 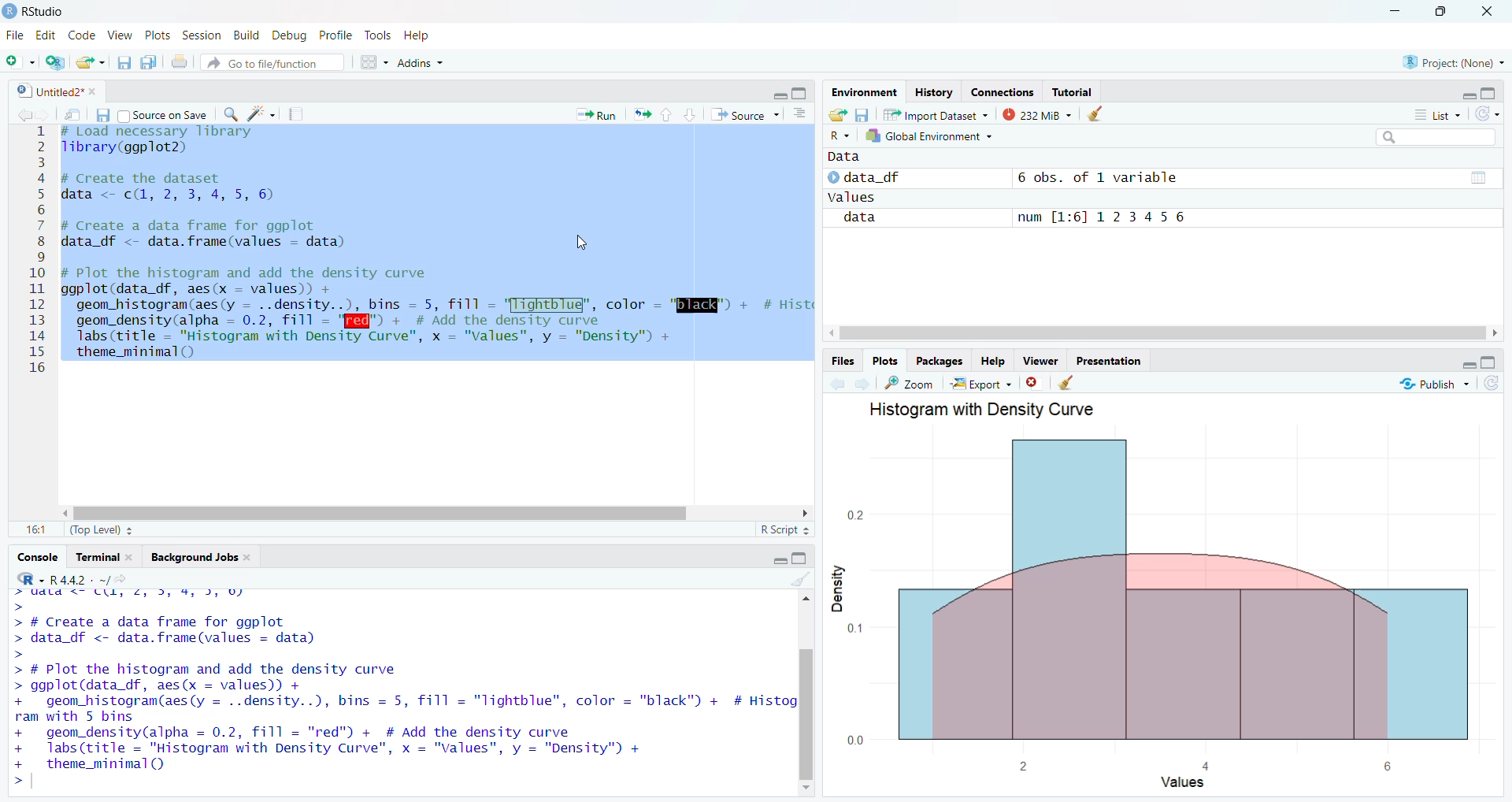 I want to click on view the current working directory, so click(x=122, y=578).